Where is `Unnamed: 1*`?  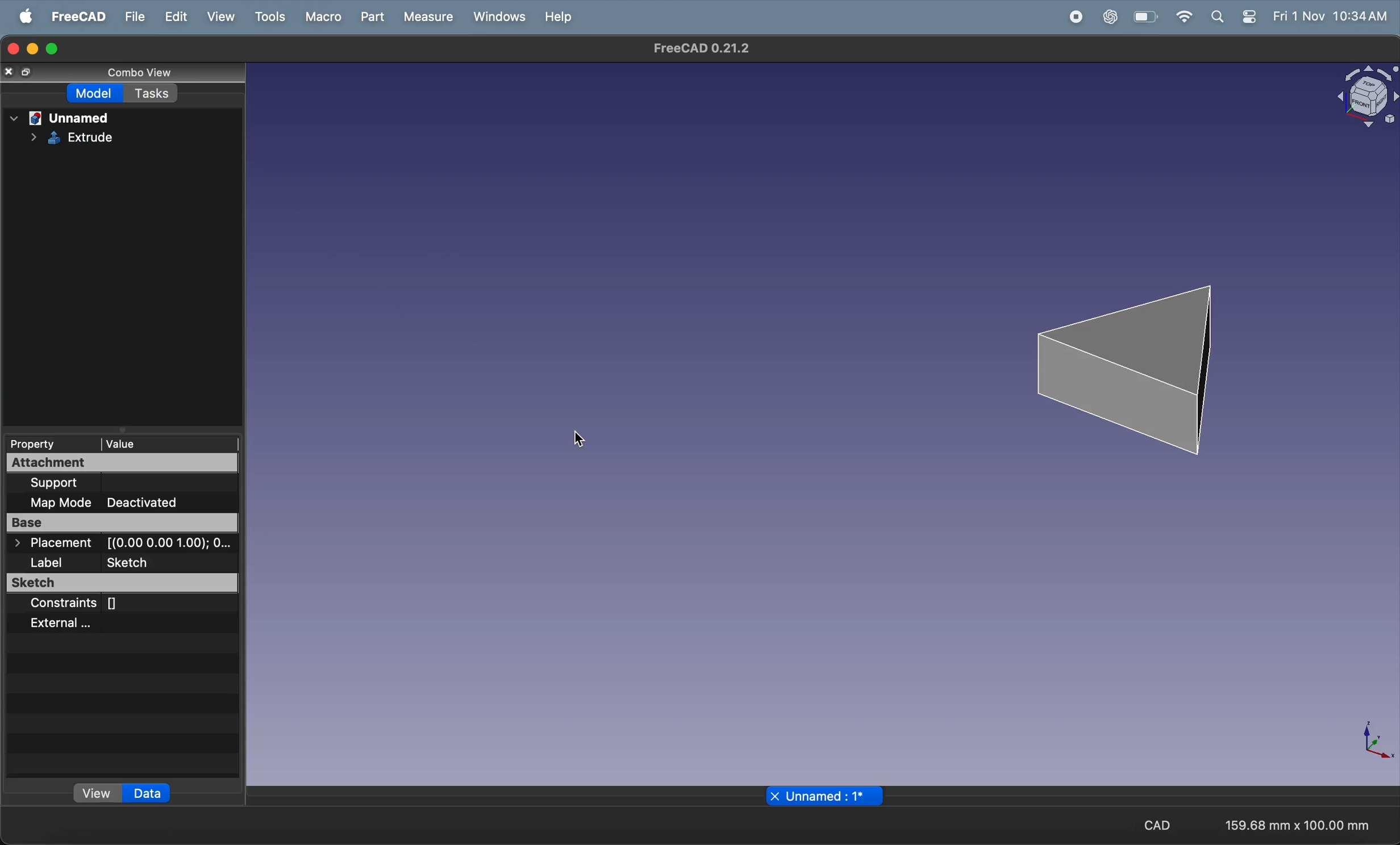
Unnamed: 1* is located at coordinates (827, 797).